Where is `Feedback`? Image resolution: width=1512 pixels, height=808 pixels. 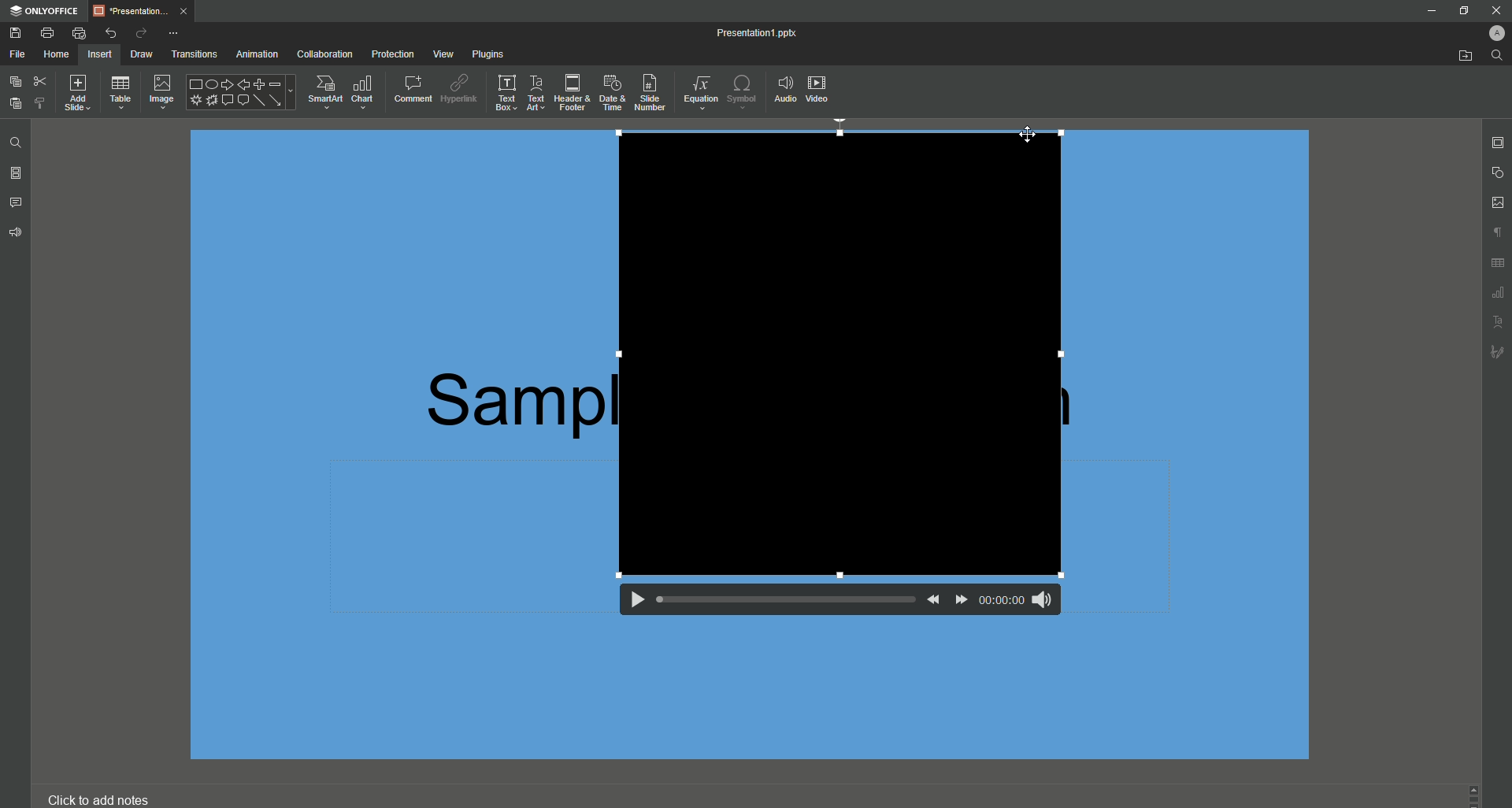
Feedback is located at coordinates (17, 235).